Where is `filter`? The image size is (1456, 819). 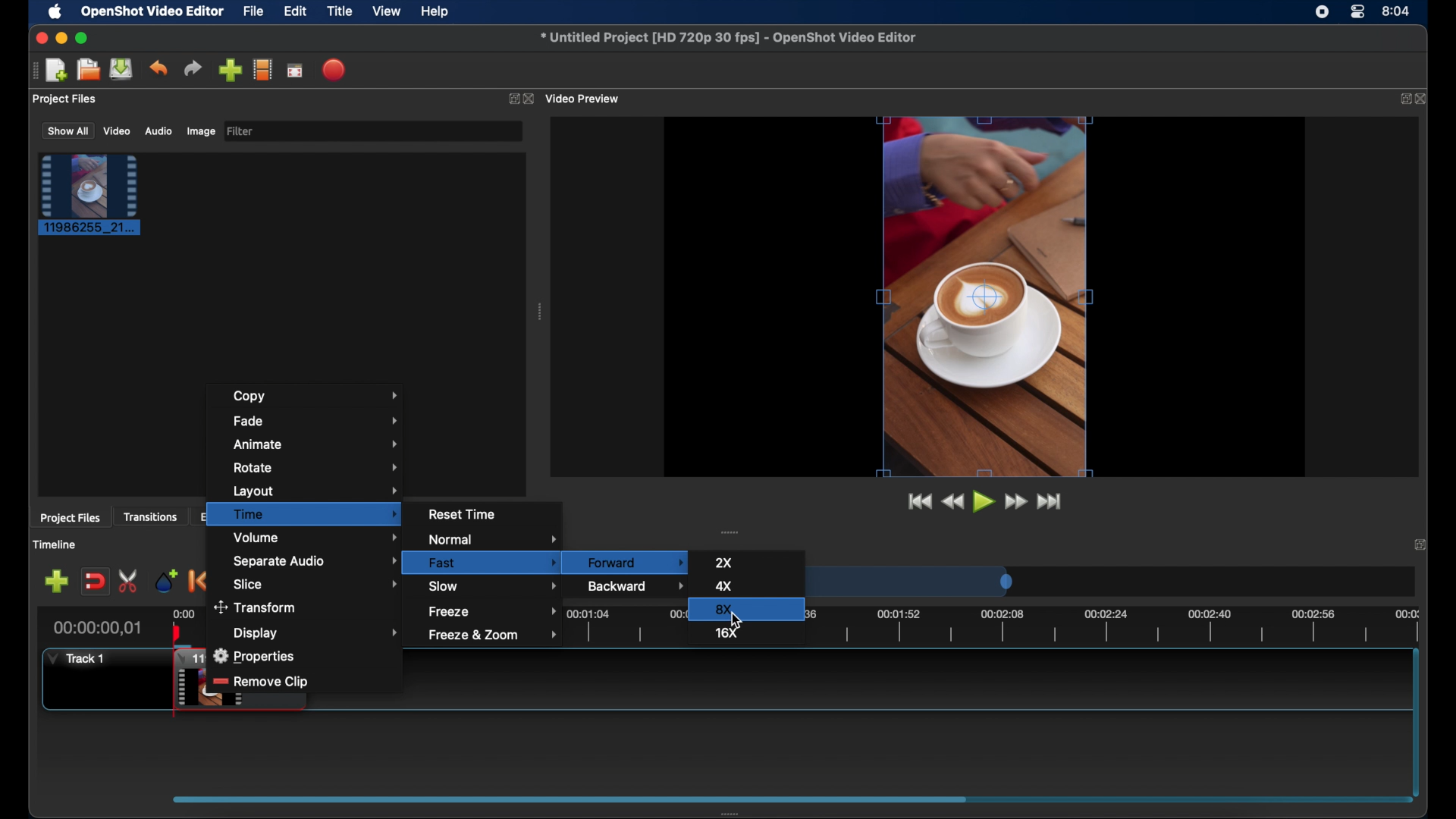
filter is located at coordinates (241, 131).